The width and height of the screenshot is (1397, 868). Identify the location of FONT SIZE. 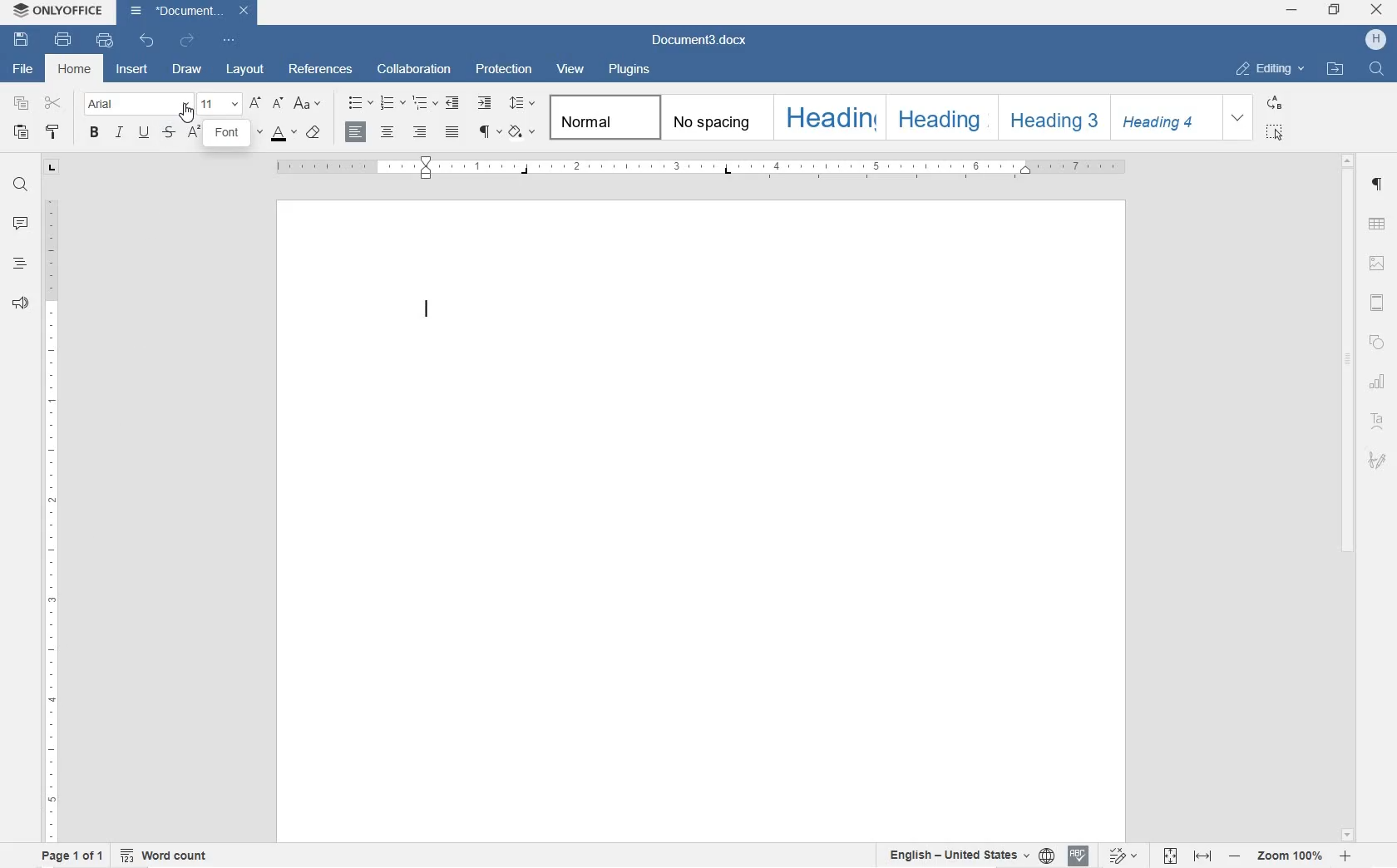
(219, 103).